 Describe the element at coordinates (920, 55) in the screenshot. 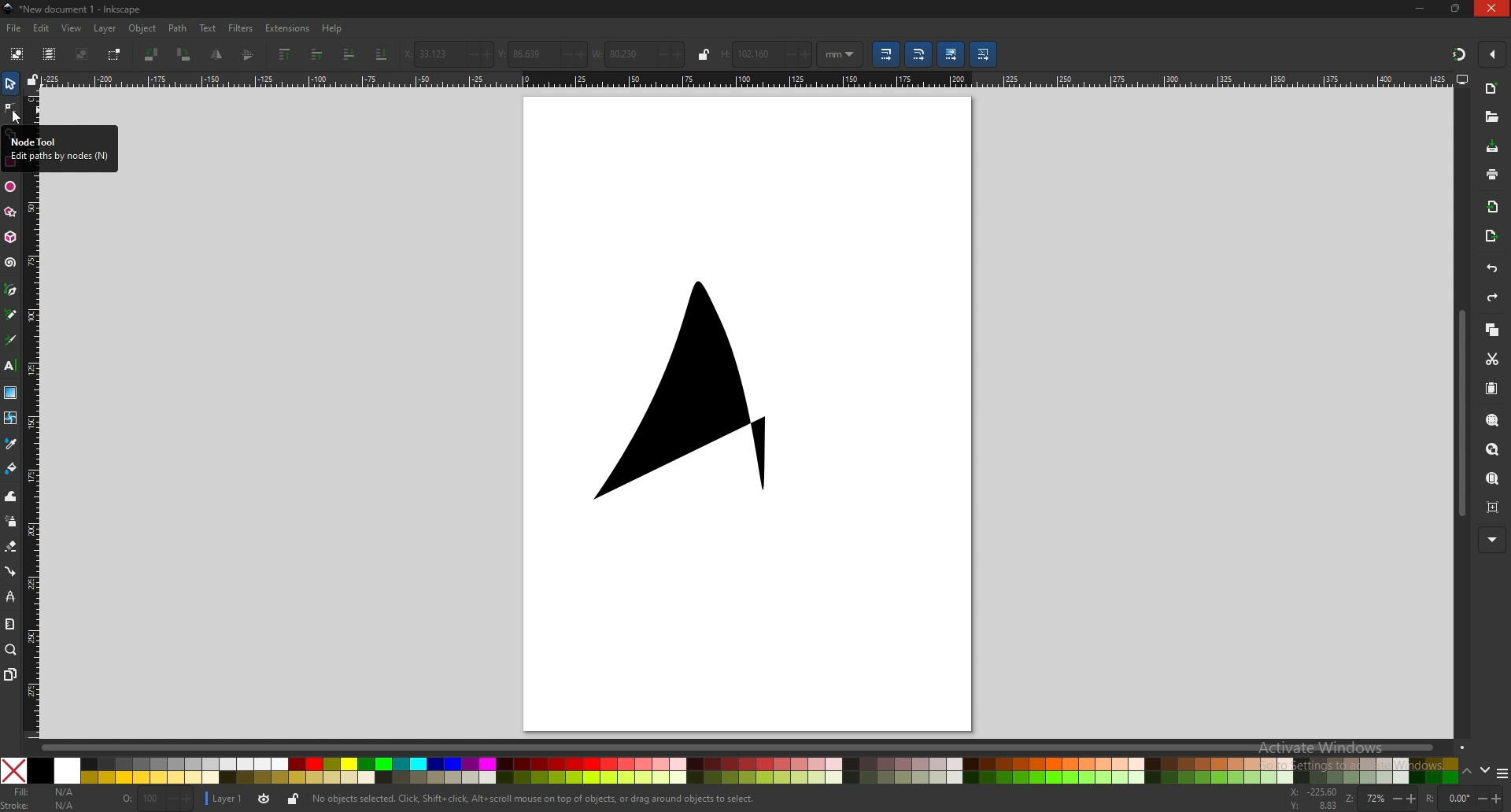

I see `scale radii` at that location.